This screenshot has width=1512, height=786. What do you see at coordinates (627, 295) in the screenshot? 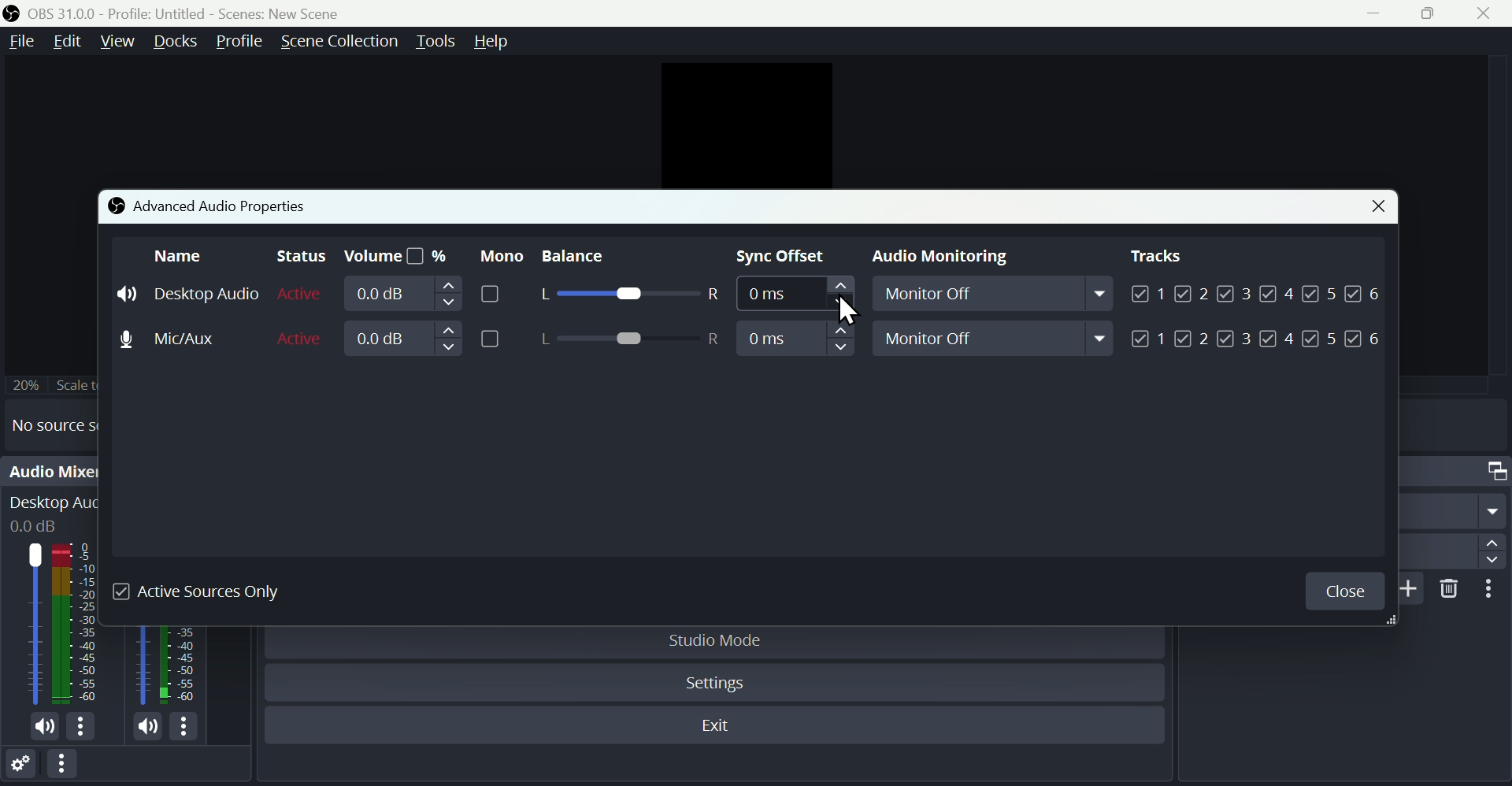
I see `Balance slider` at bounding box center [627, 295].